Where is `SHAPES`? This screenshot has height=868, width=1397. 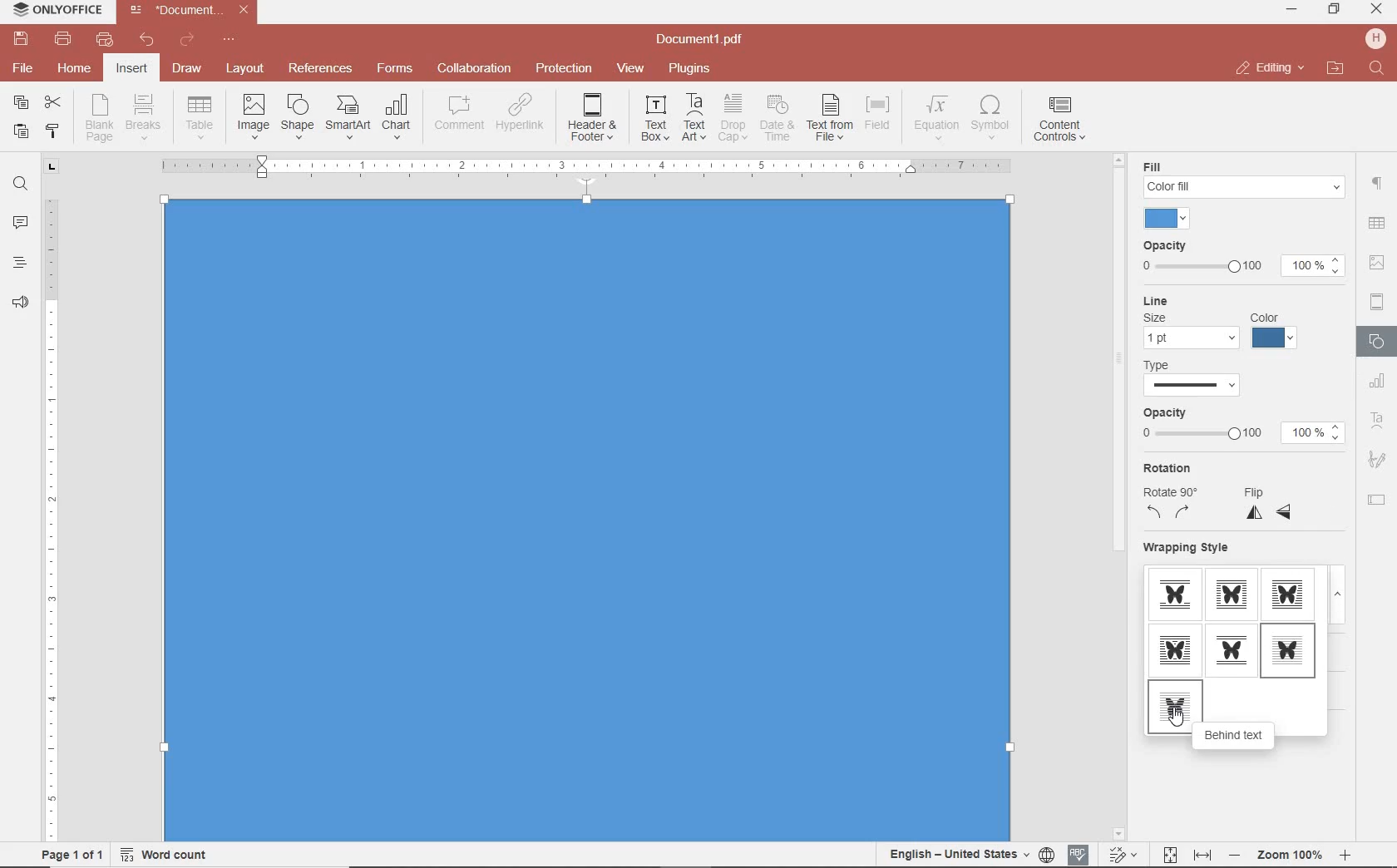
SHAPES is located at coordinates (1378, 343).